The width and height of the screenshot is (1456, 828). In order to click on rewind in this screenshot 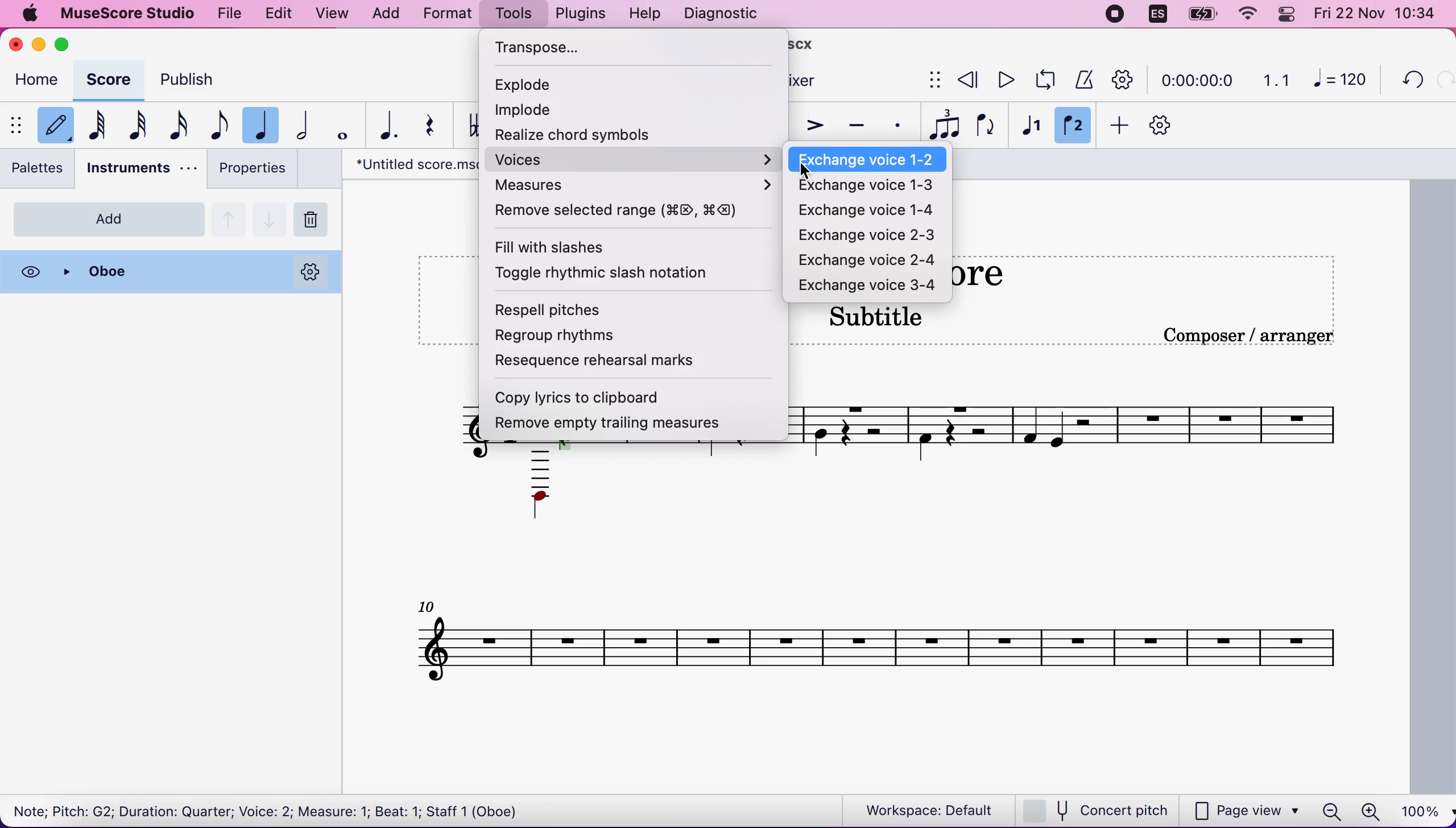, I will do `click(966, 78)`.